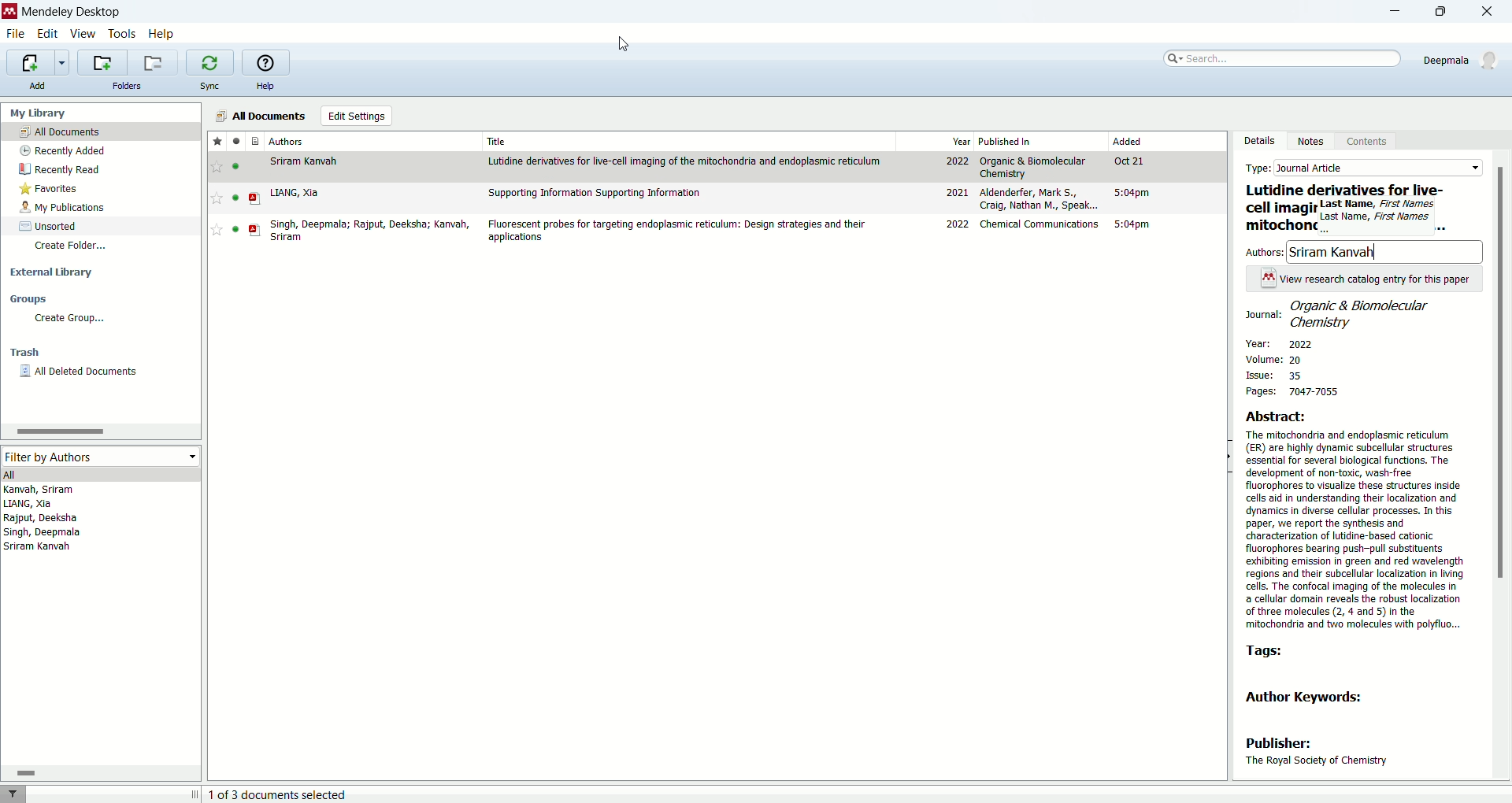  Describe the element at coordinates (163, 34) in the screenshot. I see `help` at that location.